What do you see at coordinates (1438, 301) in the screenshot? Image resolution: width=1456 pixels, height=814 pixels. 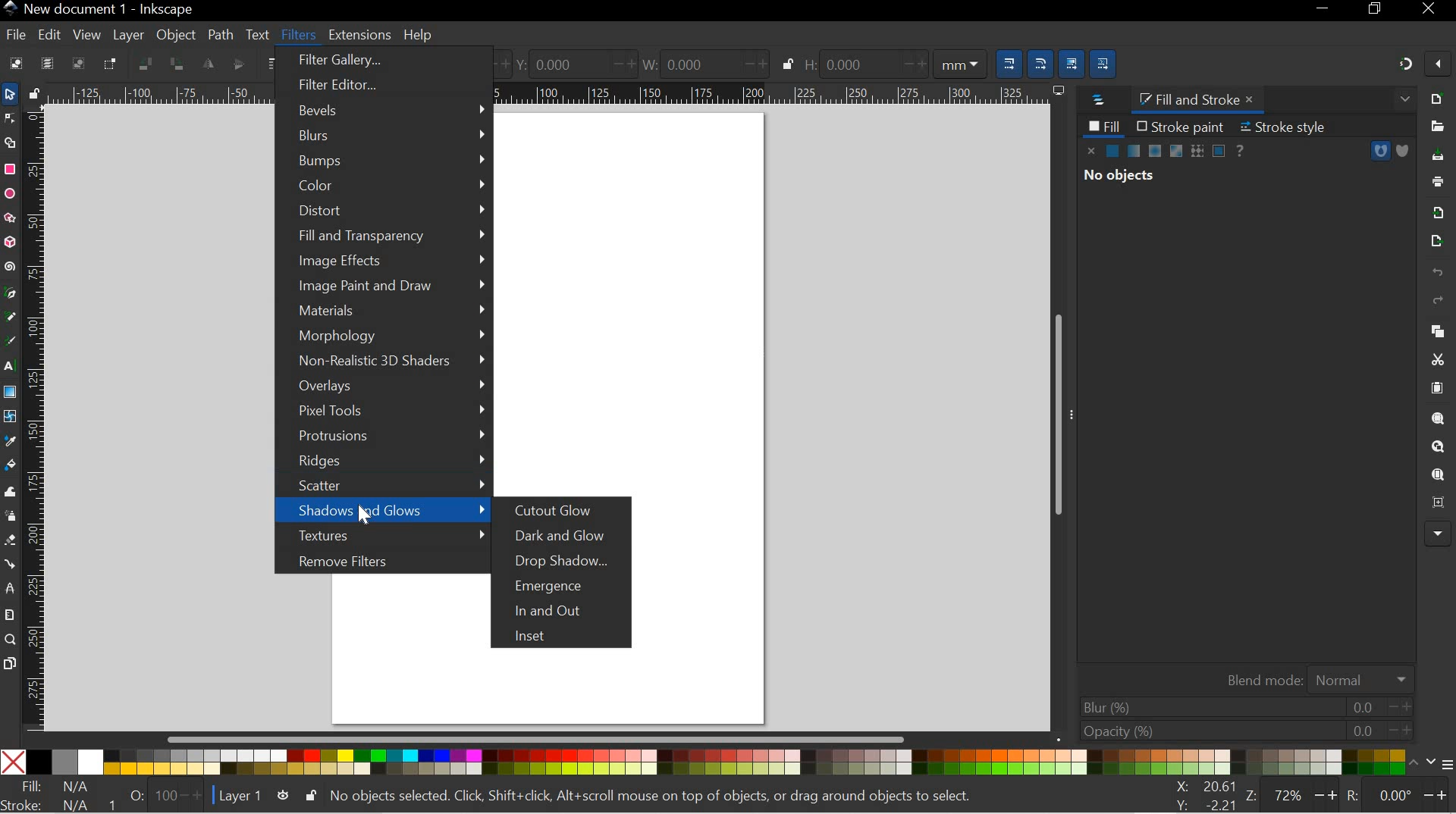 I see `REDO` at bounding box center [1438, 301].